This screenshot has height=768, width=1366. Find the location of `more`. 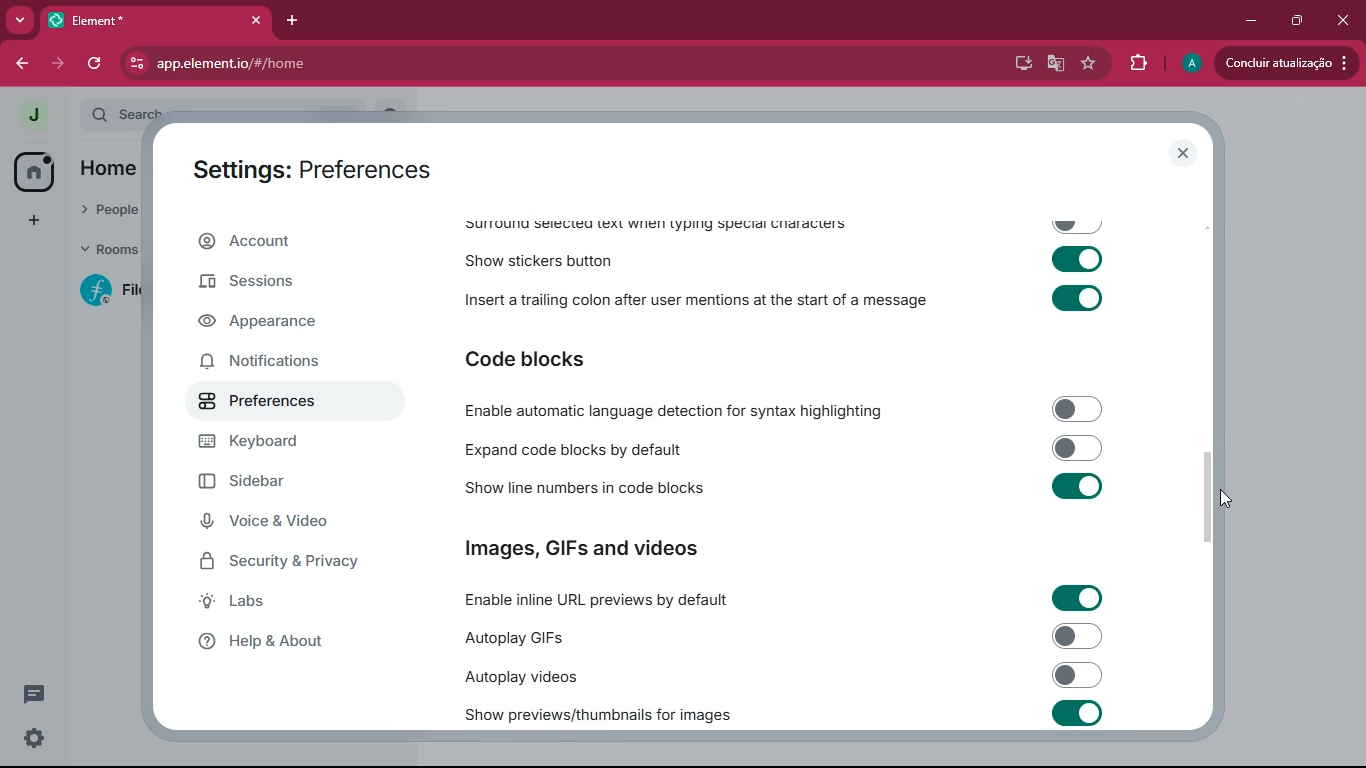

more is located at coordinates (19, 20).